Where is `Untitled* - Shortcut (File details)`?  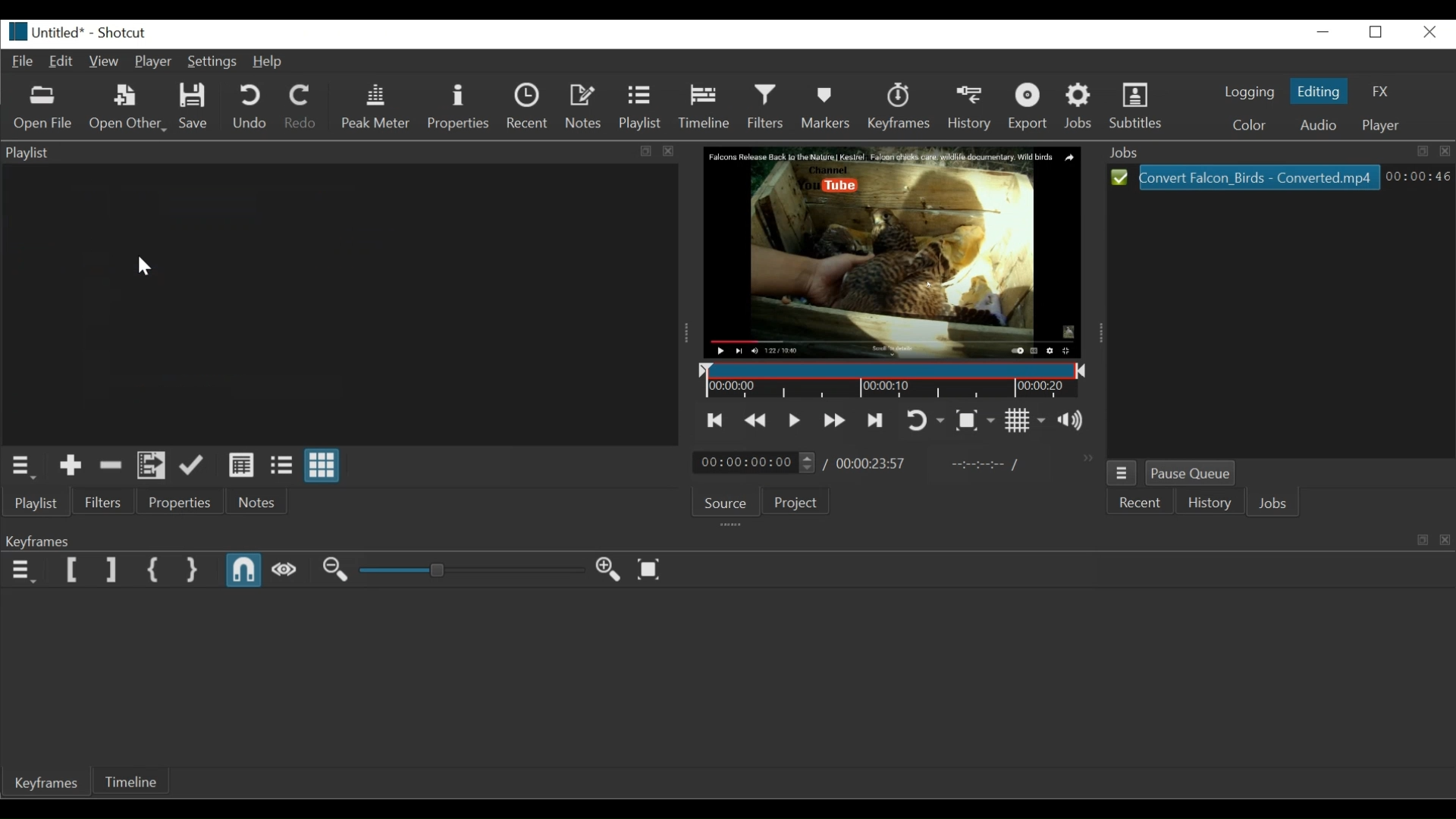 Untitled* - Shortcut (File details) is located at coordinates (75, 31).